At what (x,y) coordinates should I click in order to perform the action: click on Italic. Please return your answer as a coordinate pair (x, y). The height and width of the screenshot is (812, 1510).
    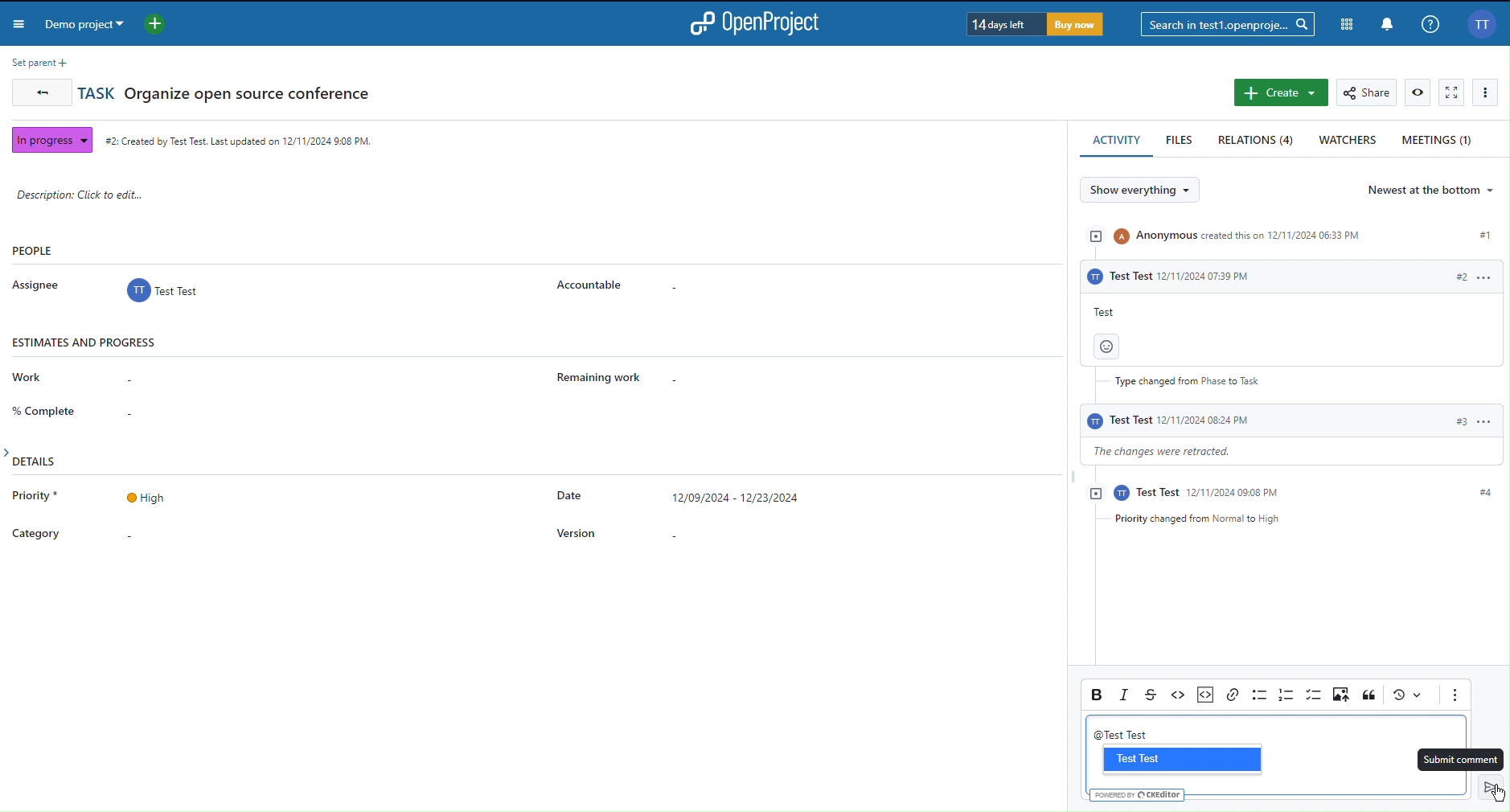
    Looking at the image, I should click on (1126, 695).